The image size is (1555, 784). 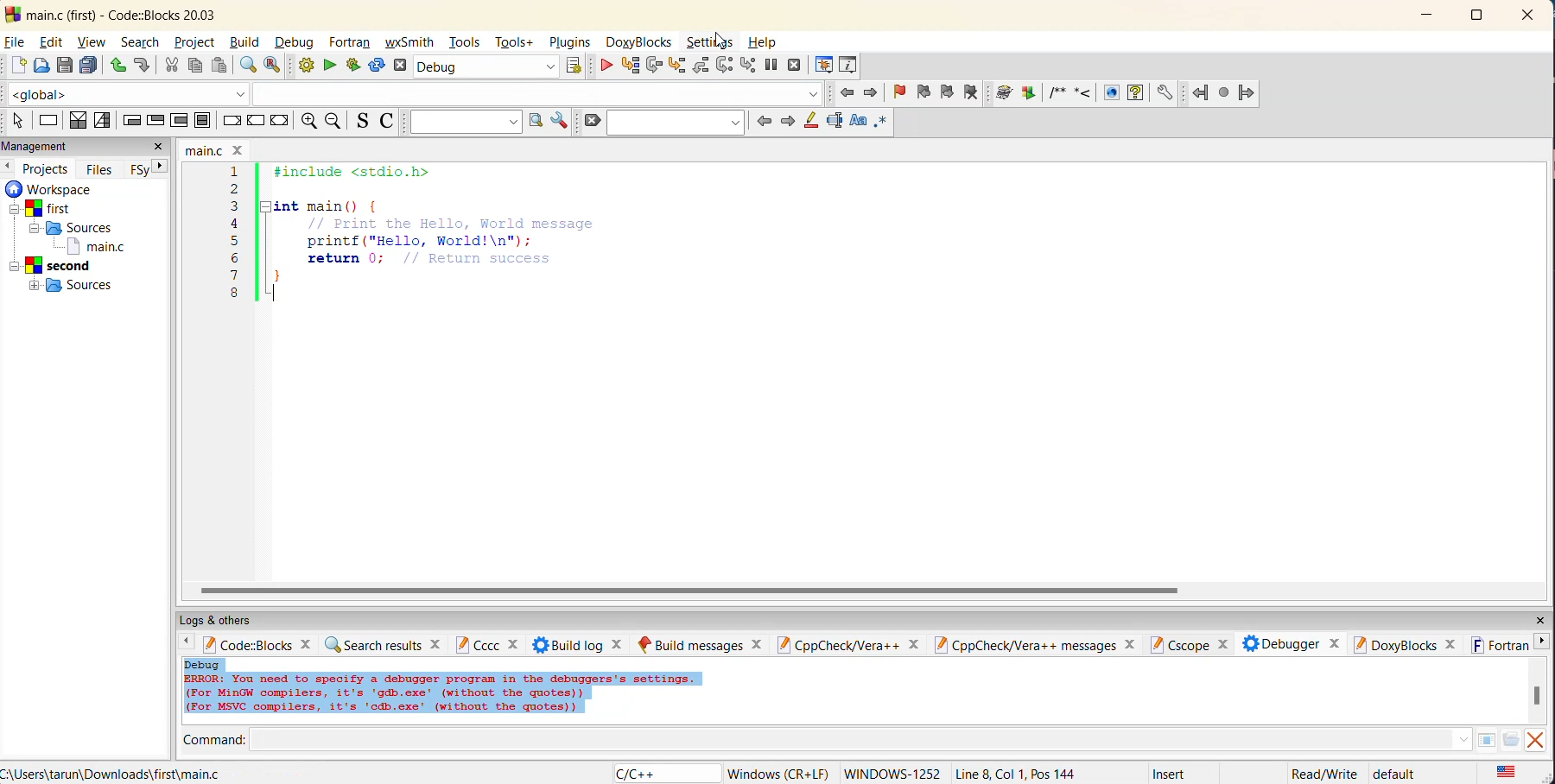 What do you see at coordinates (777, 773) in the screenshot?
I see `Windows (CR+LF)` at bounding box center [777, 773].